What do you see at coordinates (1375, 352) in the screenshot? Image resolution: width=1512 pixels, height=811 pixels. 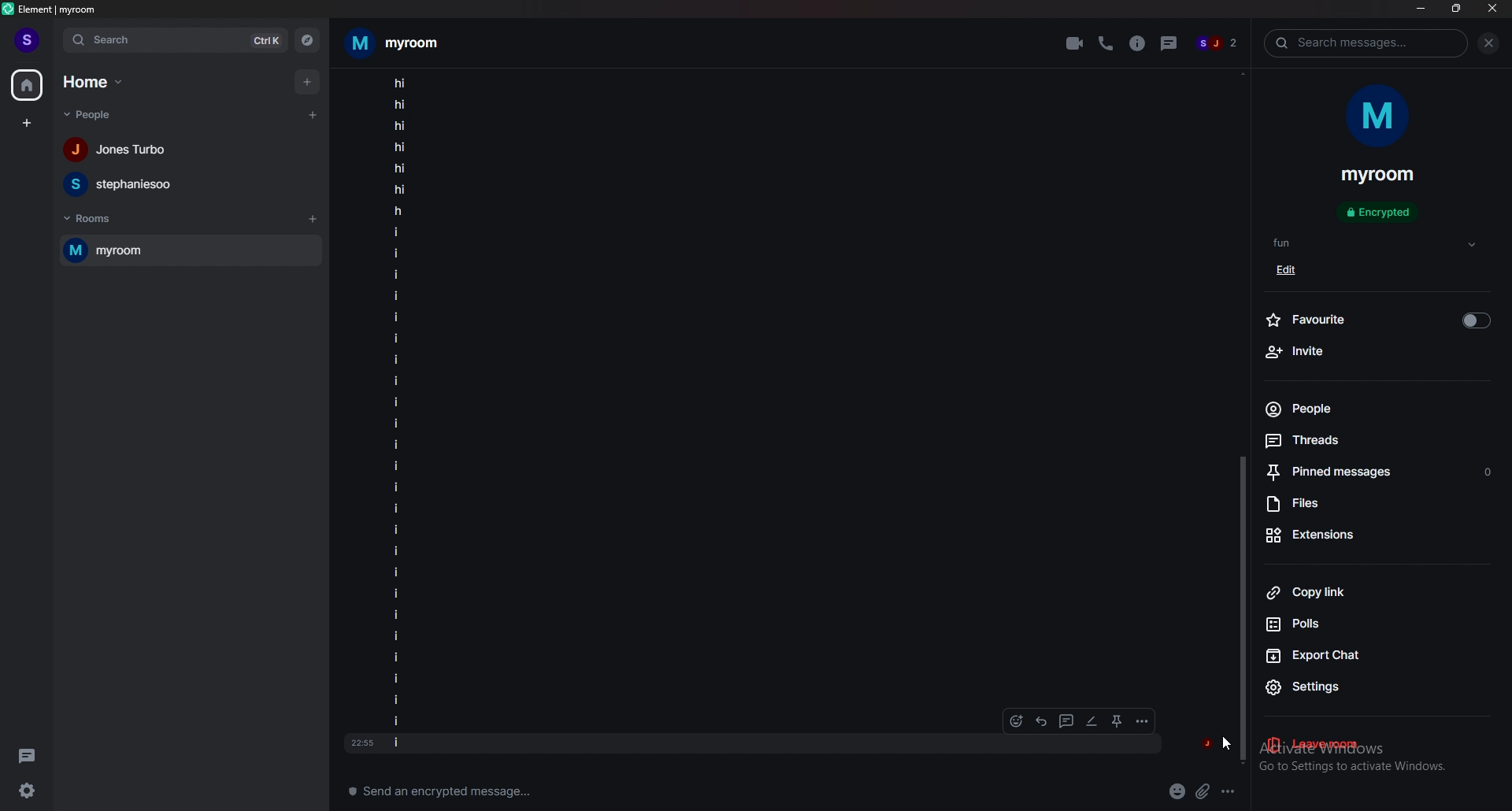 I see `invite` at bounding box center [1375, 352].